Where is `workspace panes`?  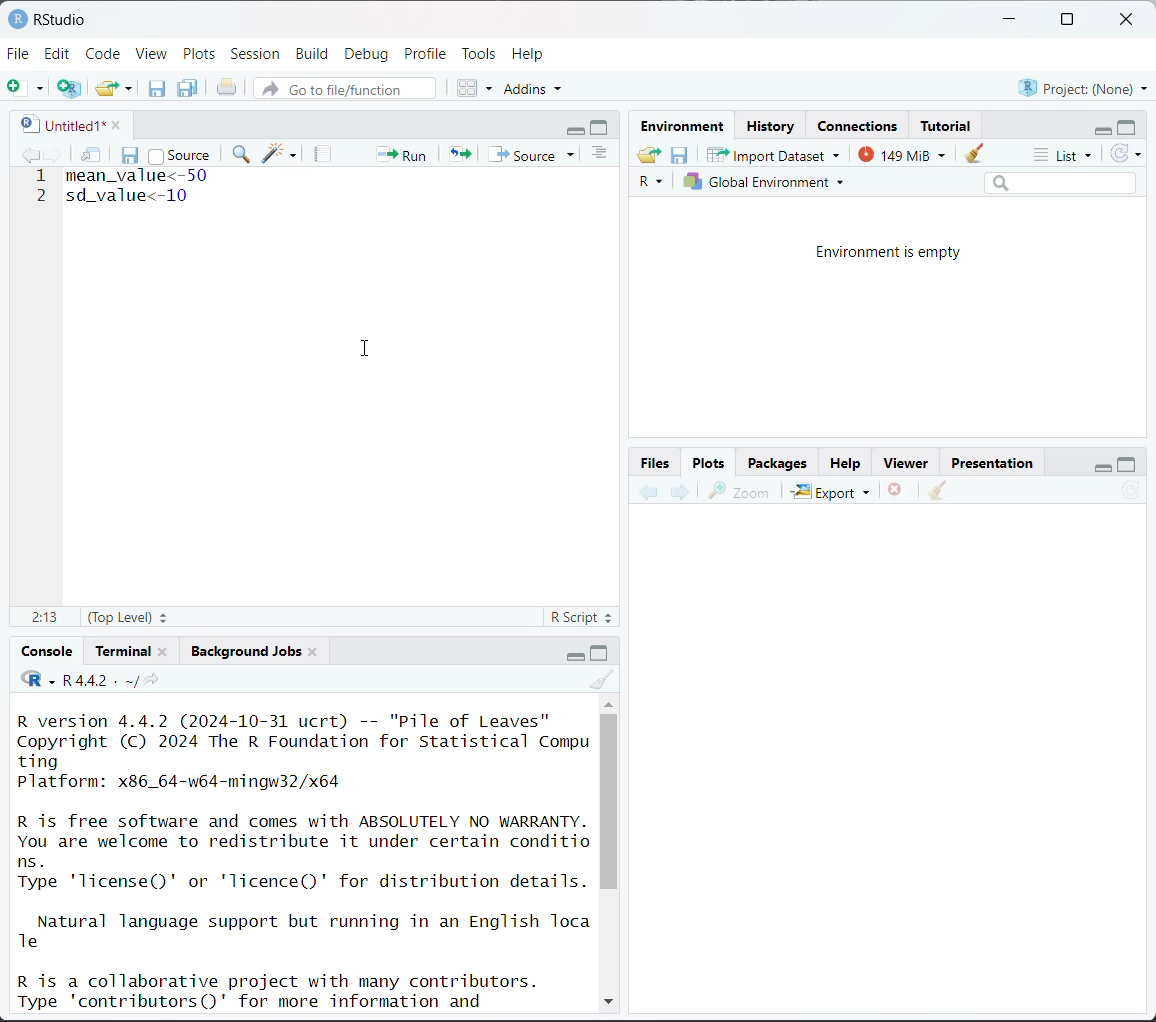
workspace panes is located at coordinates (476, 87).